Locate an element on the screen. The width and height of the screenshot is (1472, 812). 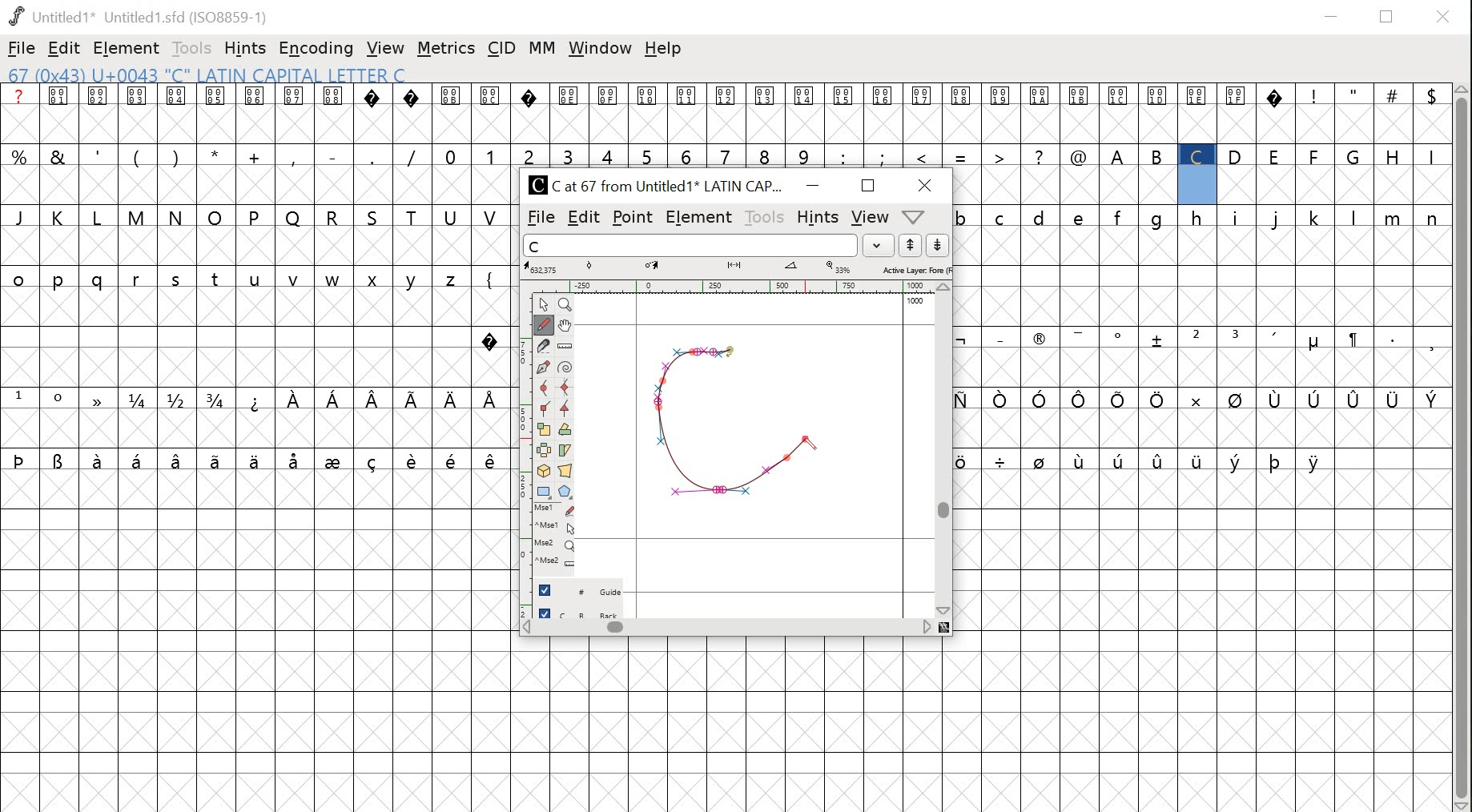
rectangle/ellipse is located at coordinates (546, 492).